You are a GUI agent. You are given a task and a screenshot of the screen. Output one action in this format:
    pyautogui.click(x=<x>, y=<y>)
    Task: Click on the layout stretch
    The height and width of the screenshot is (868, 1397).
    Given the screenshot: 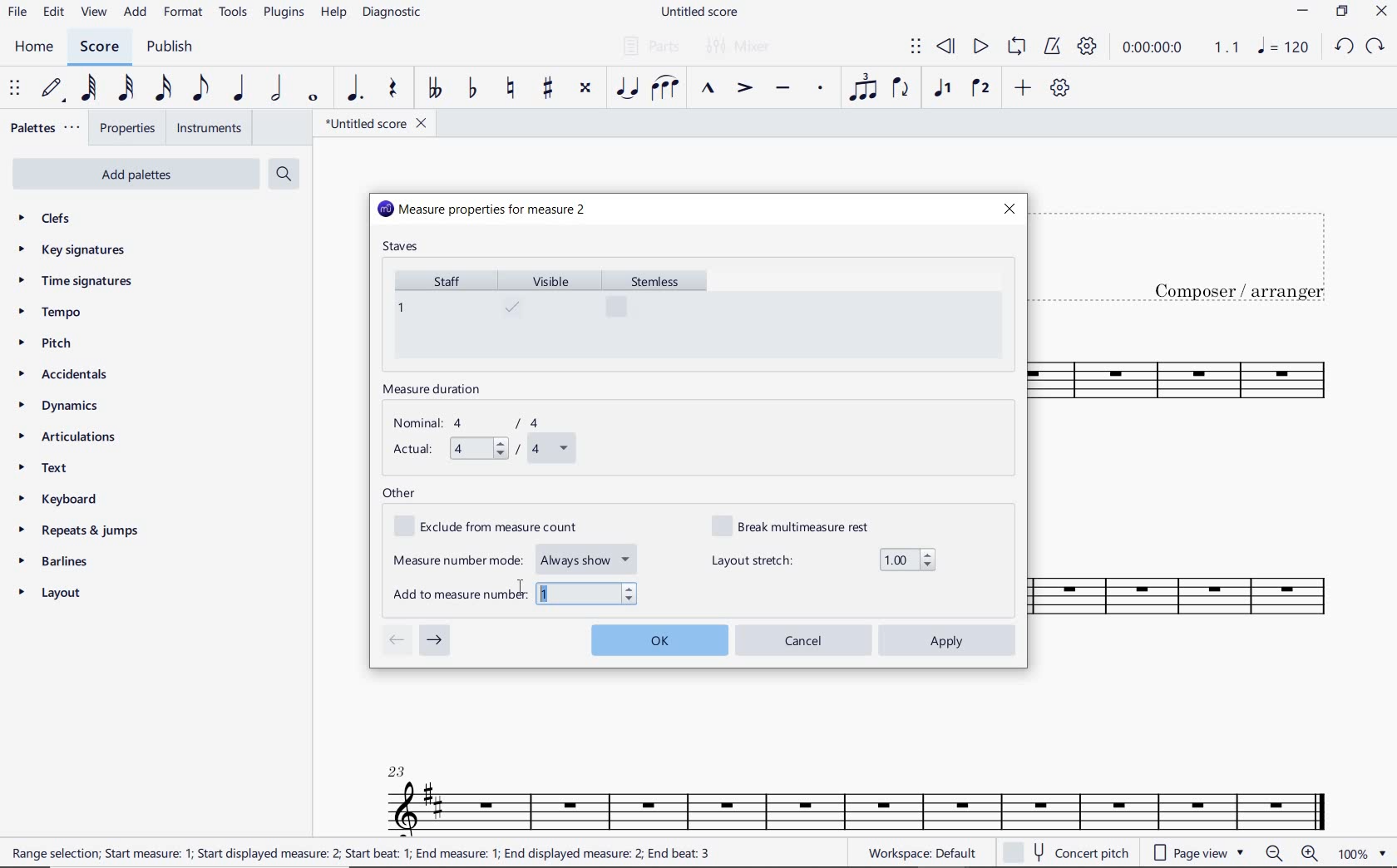 What is the action you would take?
    pyautogui.click(x=823, y=560)
    